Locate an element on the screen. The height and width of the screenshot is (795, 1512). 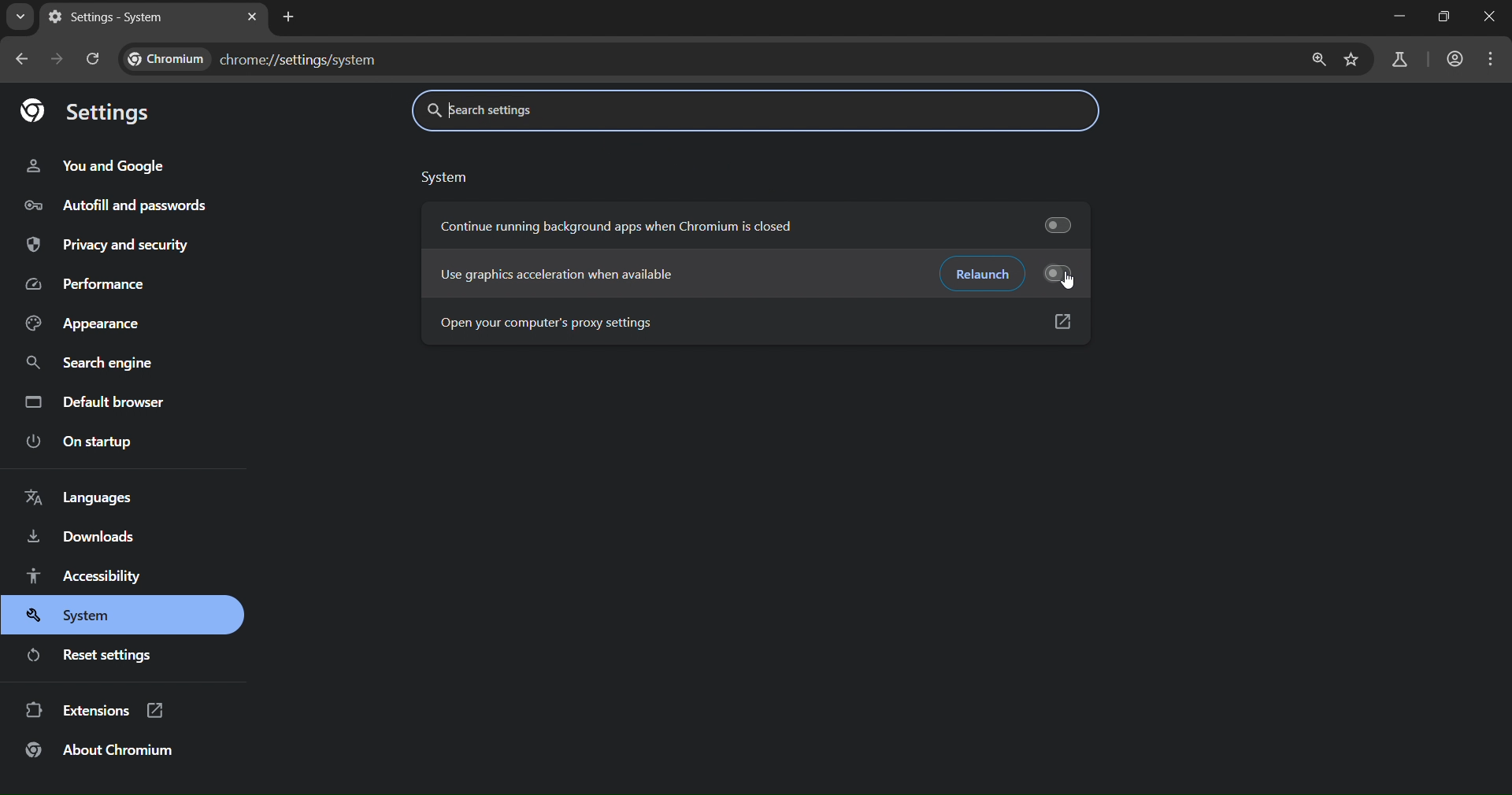
appearance is located at coordinates (83, 321).